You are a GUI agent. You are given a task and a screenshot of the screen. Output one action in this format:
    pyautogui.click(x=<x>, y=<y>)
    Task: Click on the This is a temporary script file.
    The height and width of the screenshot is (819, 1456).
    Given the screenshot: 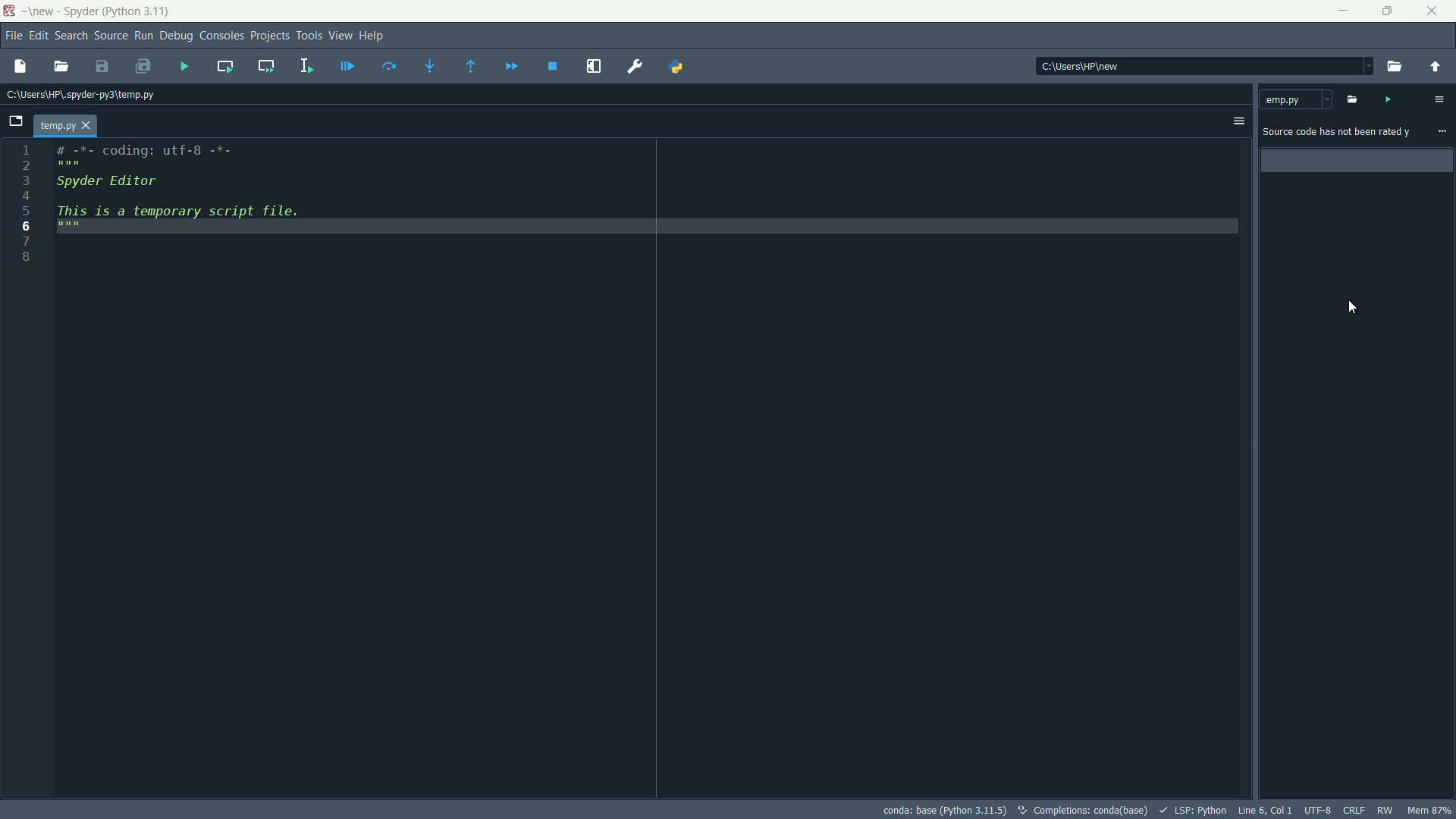 What is the action you would take?
    pyautogui.click(x=189, y=219)
    